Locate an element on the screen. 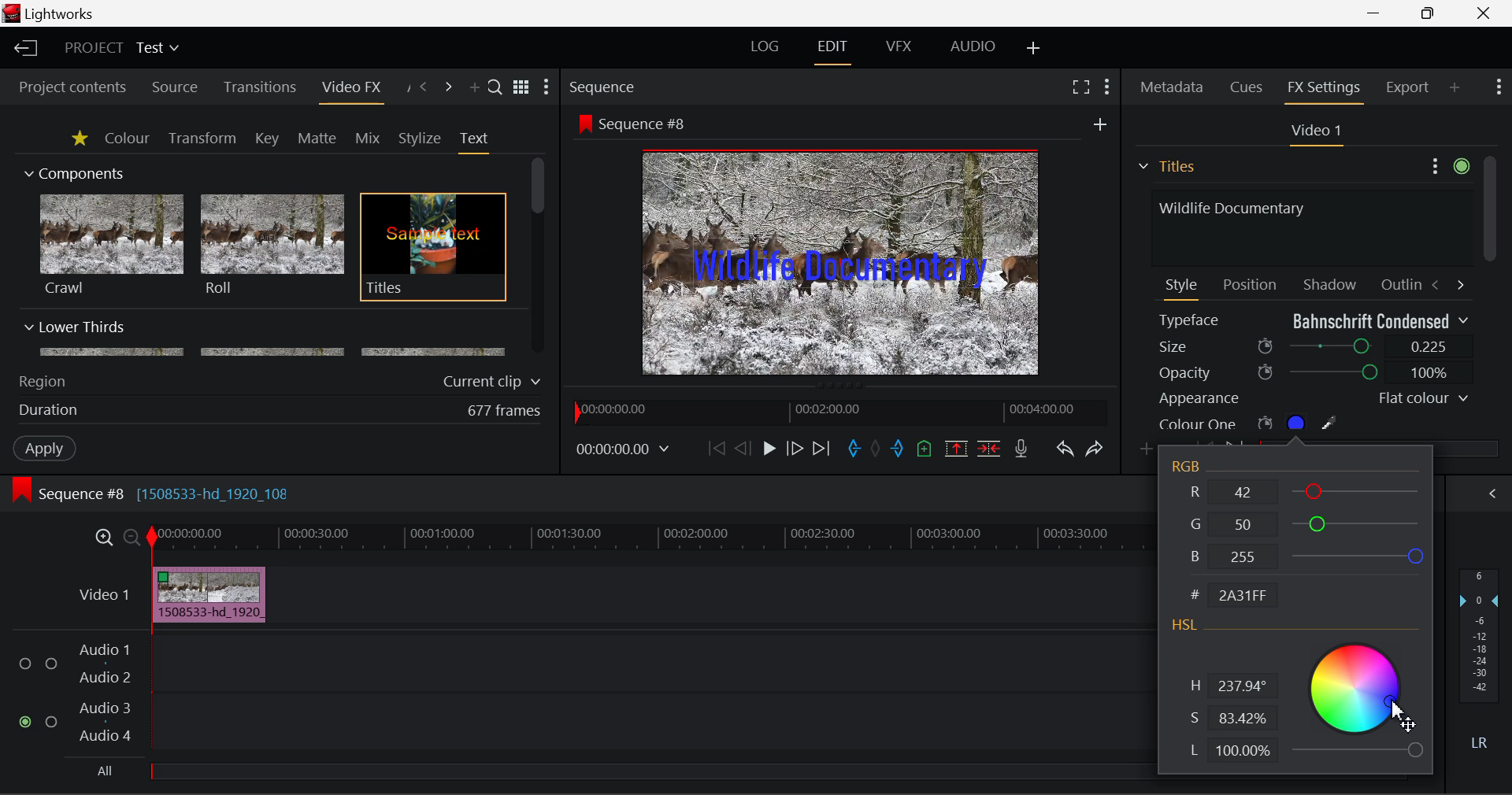  Project Title is located at coordinates (123, 46).